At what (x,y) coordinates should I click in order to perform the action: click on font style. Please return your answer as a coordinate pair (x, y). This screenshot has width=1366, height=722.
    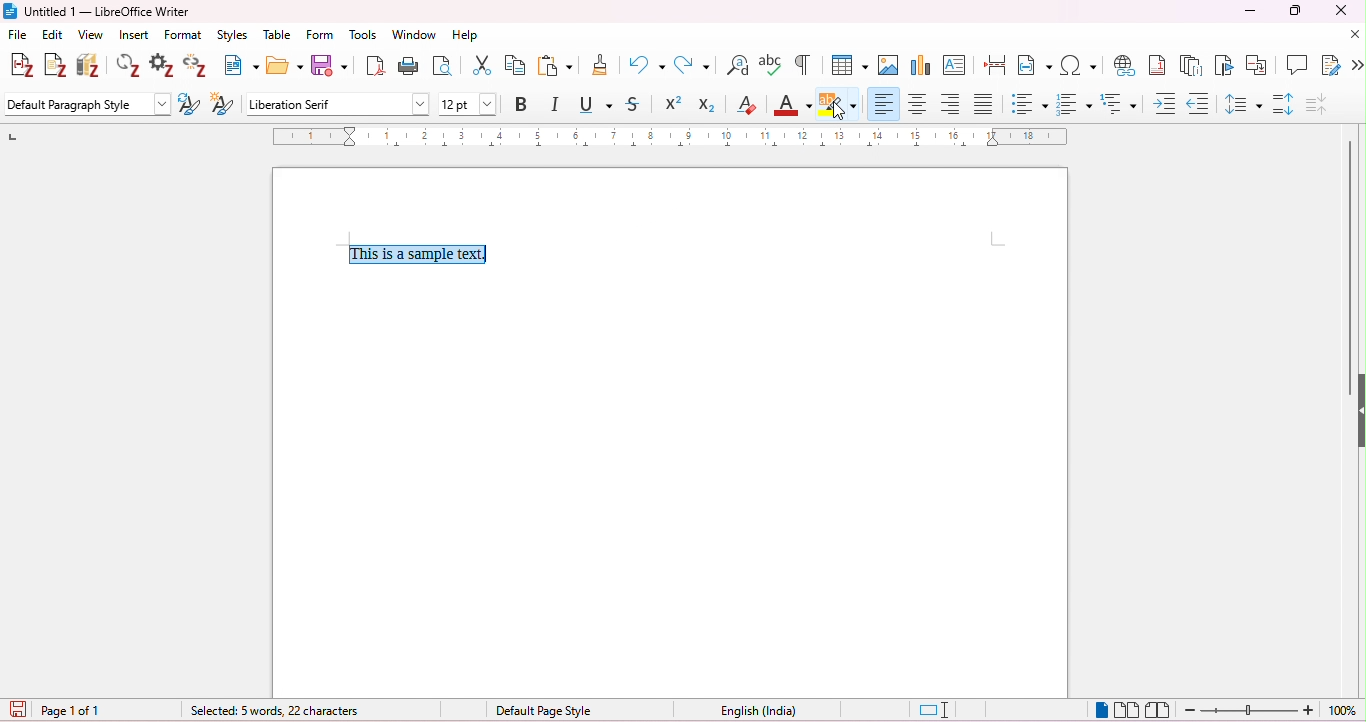
    Looking at the image, I should click on (339, 104).